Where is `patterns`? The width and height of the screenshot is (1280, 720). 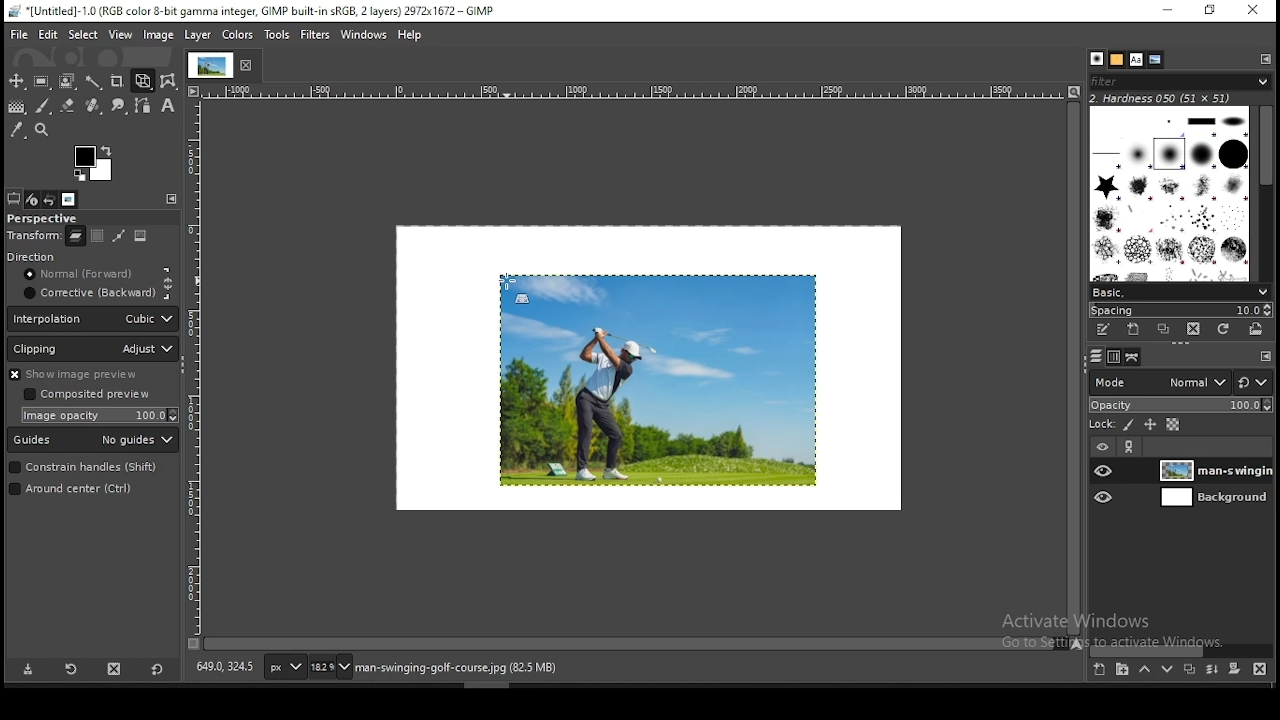
patterns is located at coordinates (1116, 59).